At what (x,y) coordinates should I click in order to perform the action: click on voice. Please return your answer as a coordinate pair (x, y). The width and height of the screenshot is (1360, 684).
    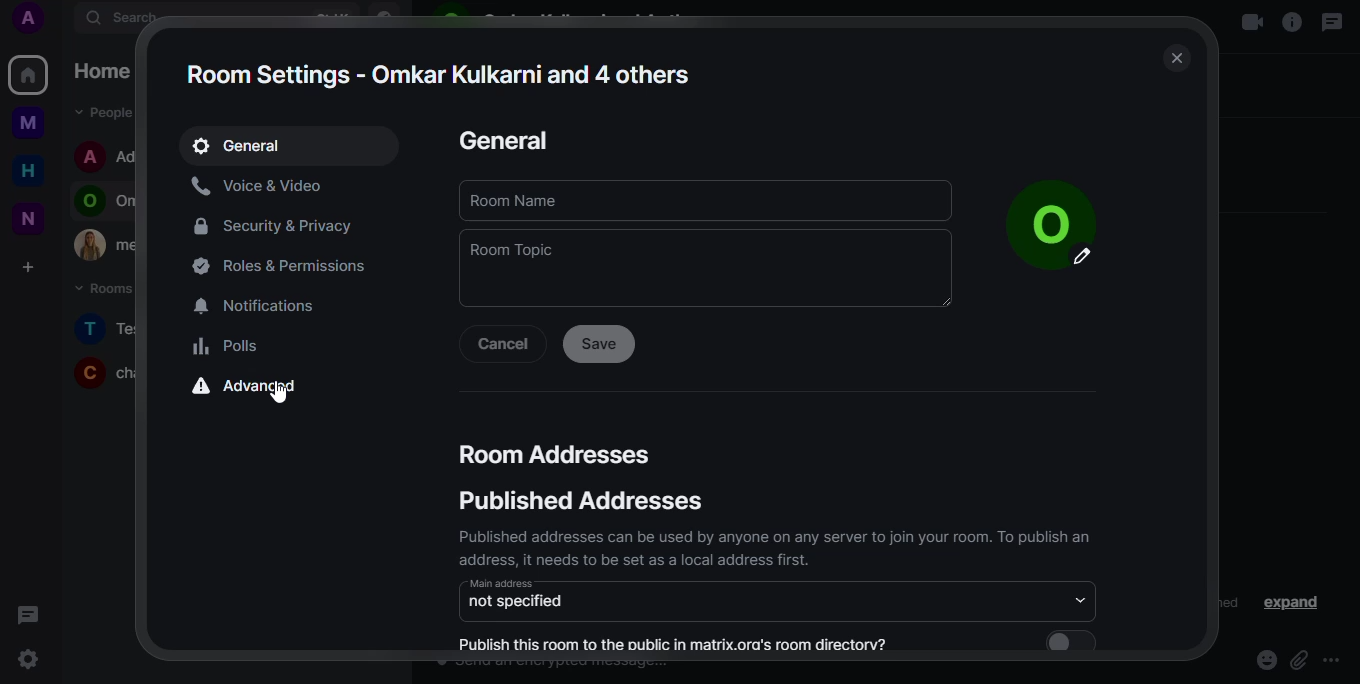
    Looking at the image, I should click on (264, 186).